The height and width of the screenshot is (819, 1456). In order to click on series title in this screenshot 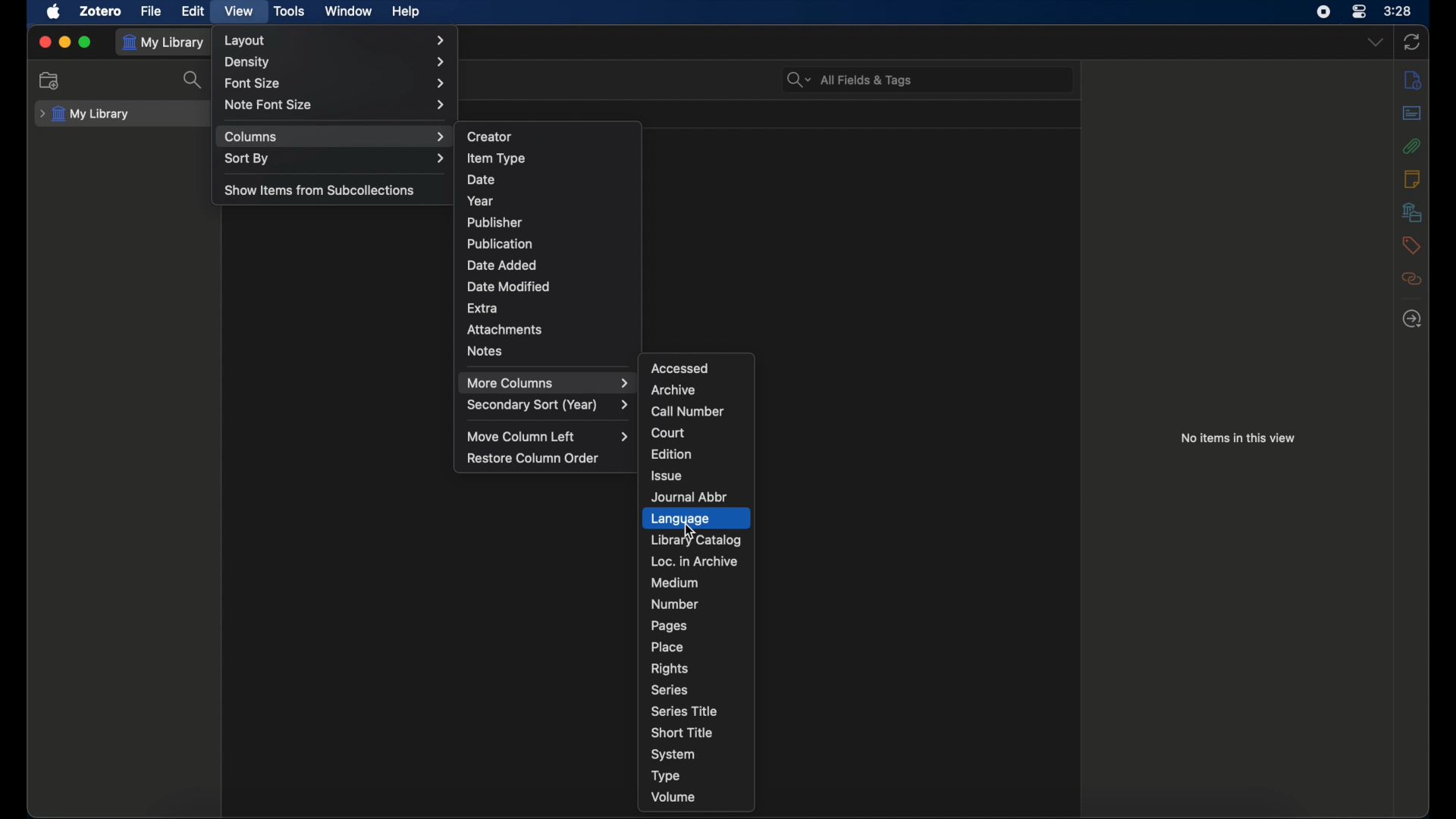, I will do `click(686, 711)`.